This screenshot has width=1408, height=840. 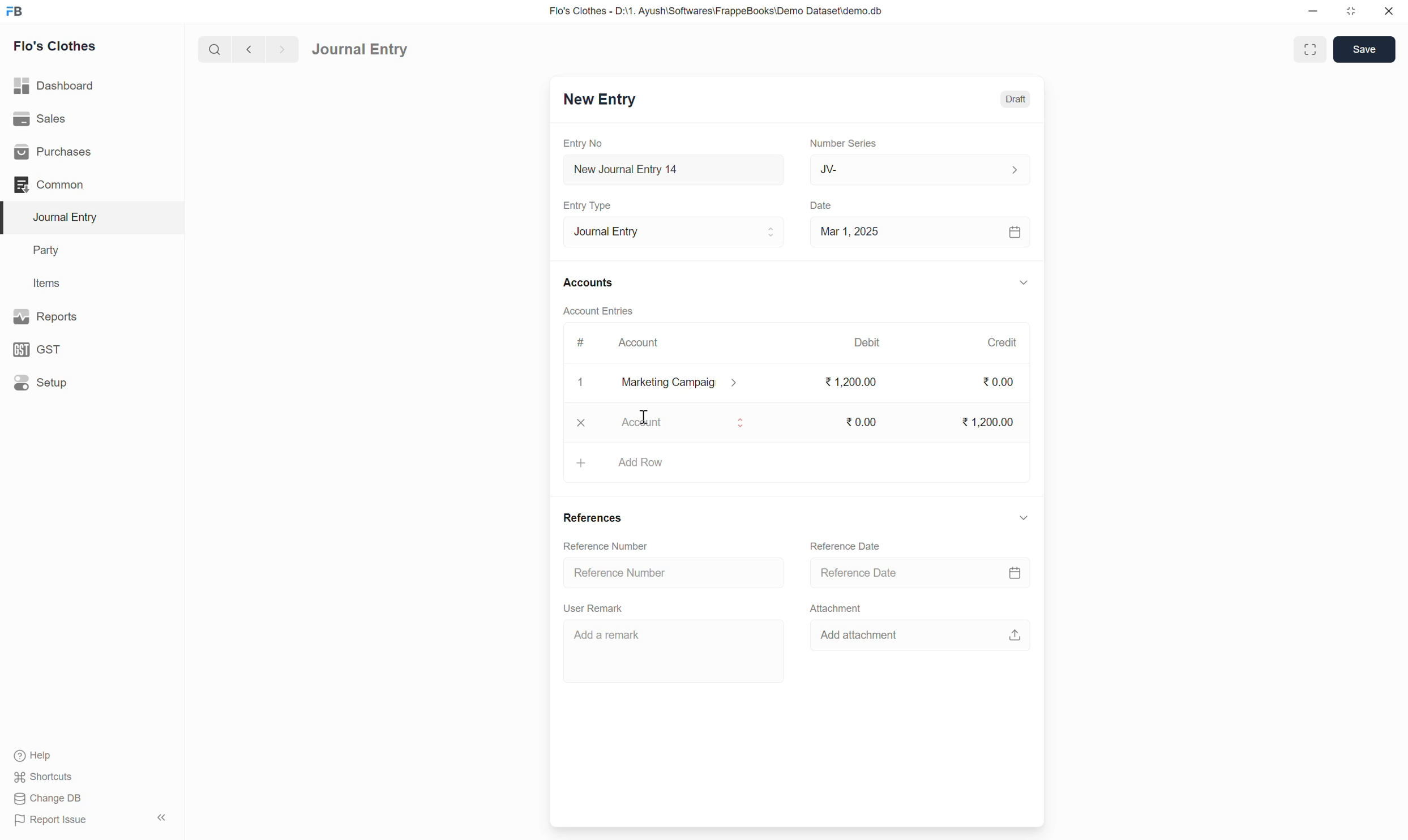 What do you see at coordinates (1002, 342) in the screenshot?
I see `Credit` at bounding box center [1002, 342].